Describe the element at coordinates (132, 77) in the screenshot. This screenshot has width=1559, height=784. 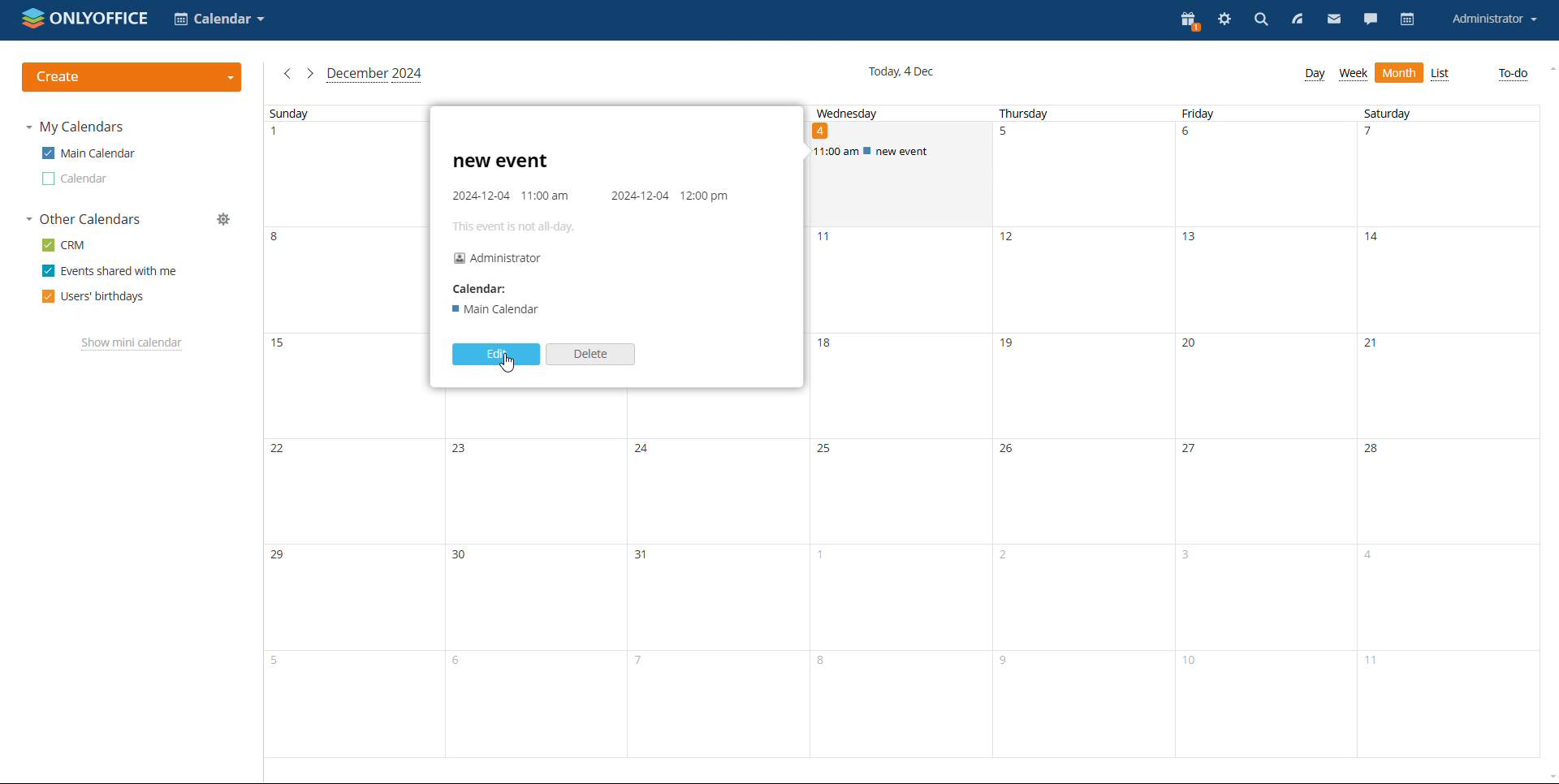
I see `create` at that location.